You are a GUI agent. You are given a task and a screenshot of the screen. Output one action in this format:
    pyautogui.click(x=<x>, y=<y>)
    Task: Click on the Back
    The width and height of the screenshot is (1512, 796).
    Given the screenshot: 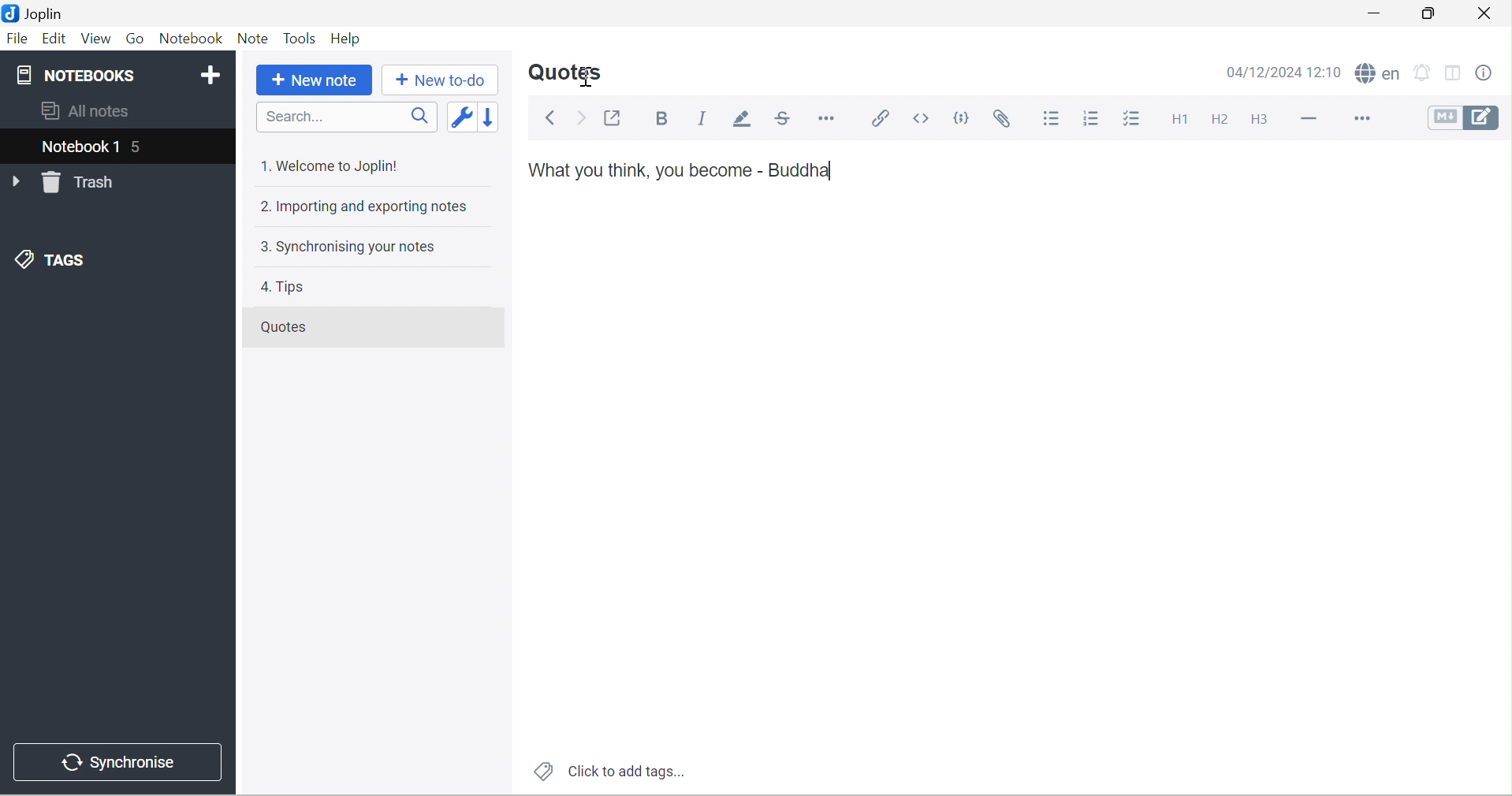 What is the action you would take?
    pyautogui.click(x=553, y=117)
    